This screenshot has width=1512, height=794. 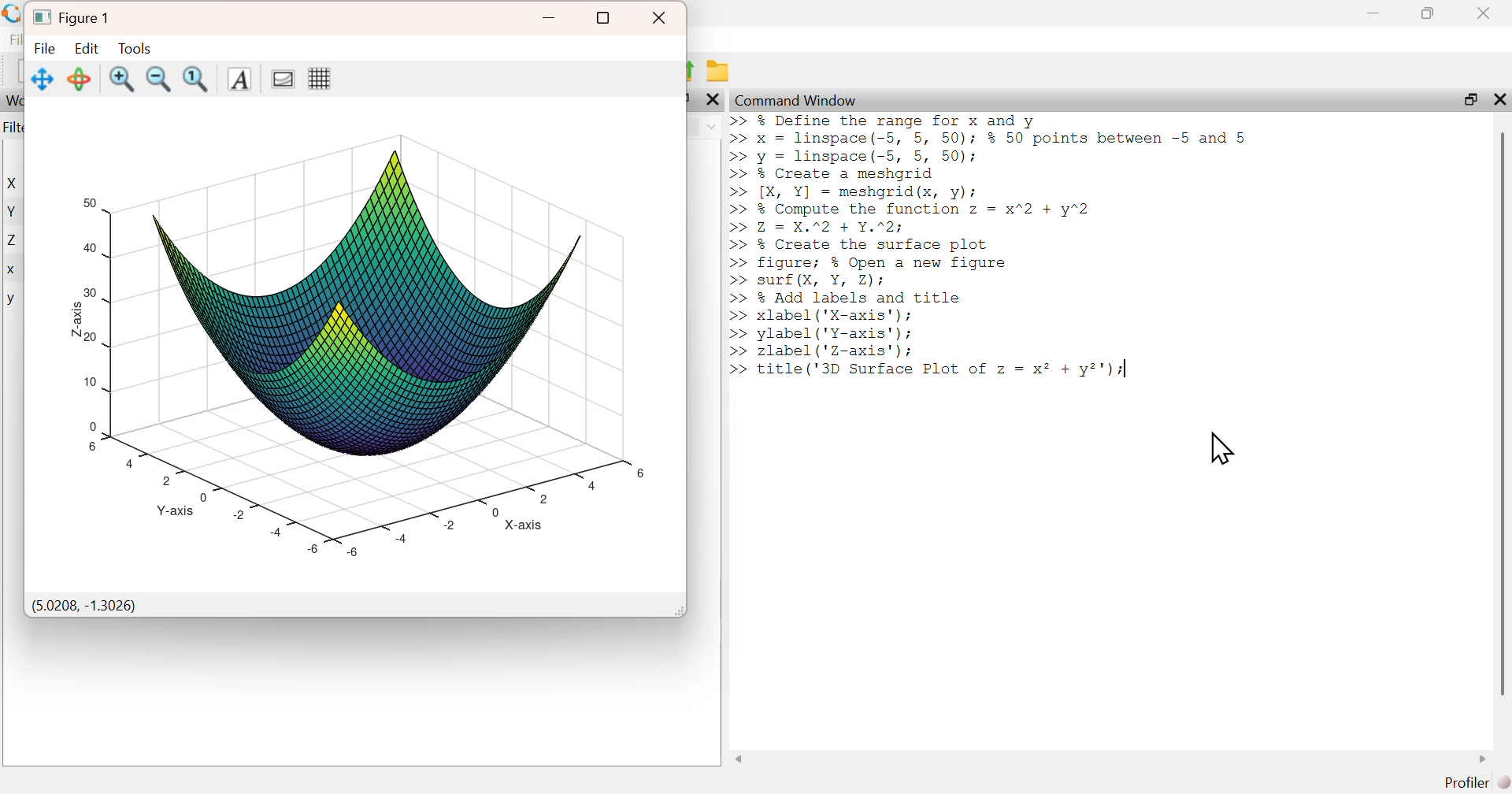 I want to click on X, so click(x=15, y=184).